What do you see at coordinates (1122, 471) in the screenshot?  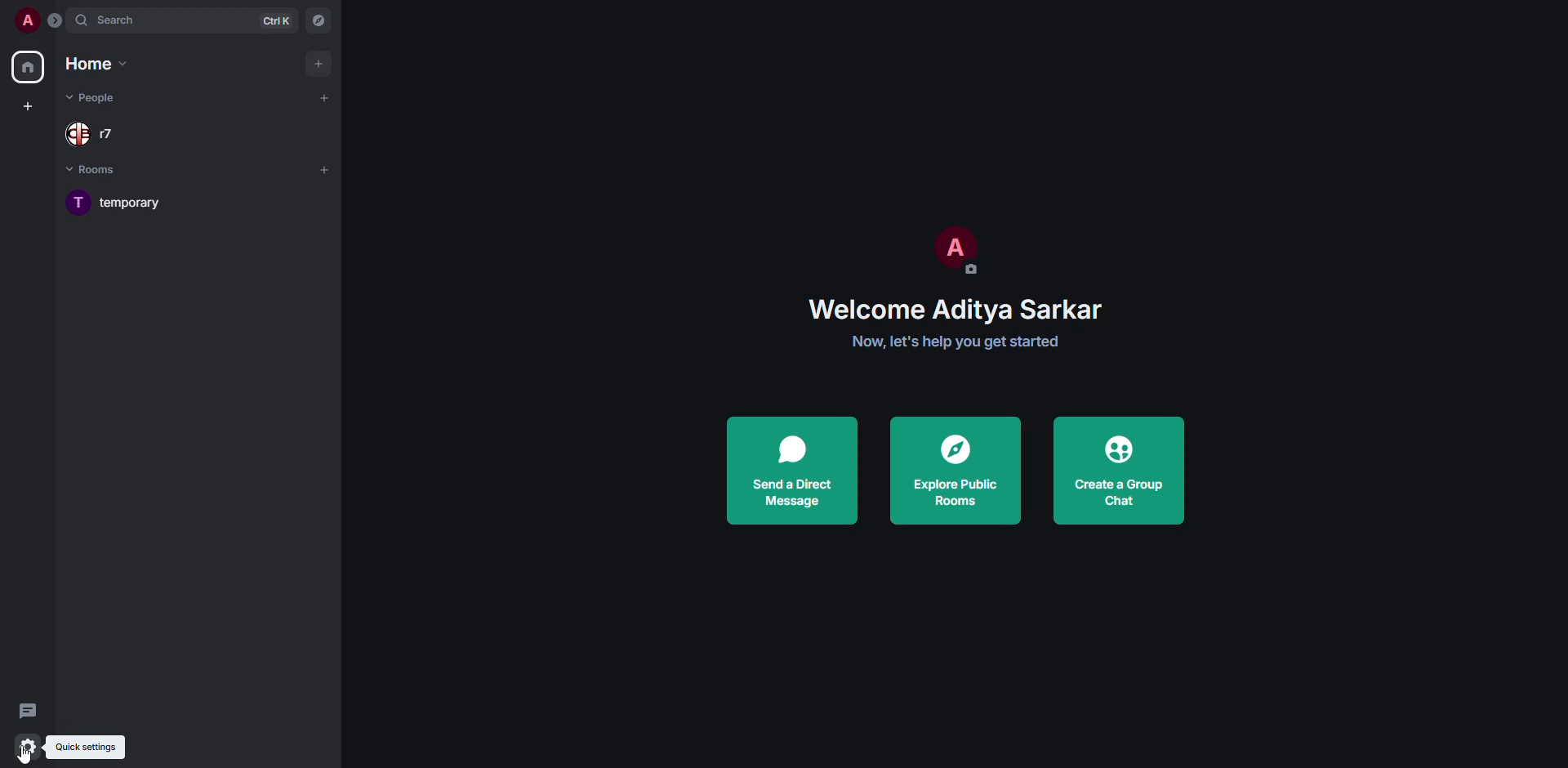 I see `create a group chat` at bounding box center [1122, 471].